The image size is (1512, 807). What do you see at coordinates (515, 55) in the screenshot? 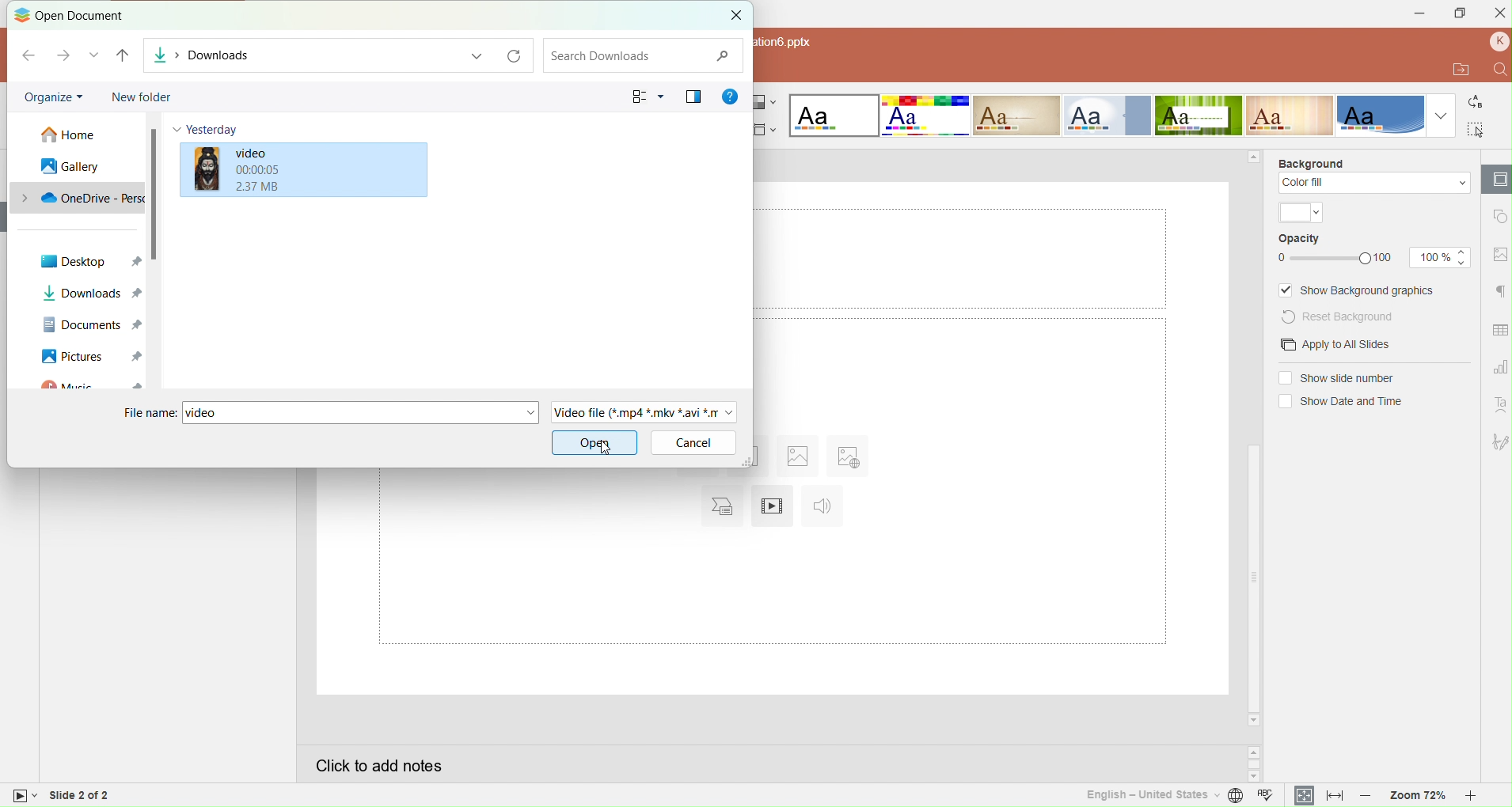
I see `Refresh` at bounding box center [515, 55].